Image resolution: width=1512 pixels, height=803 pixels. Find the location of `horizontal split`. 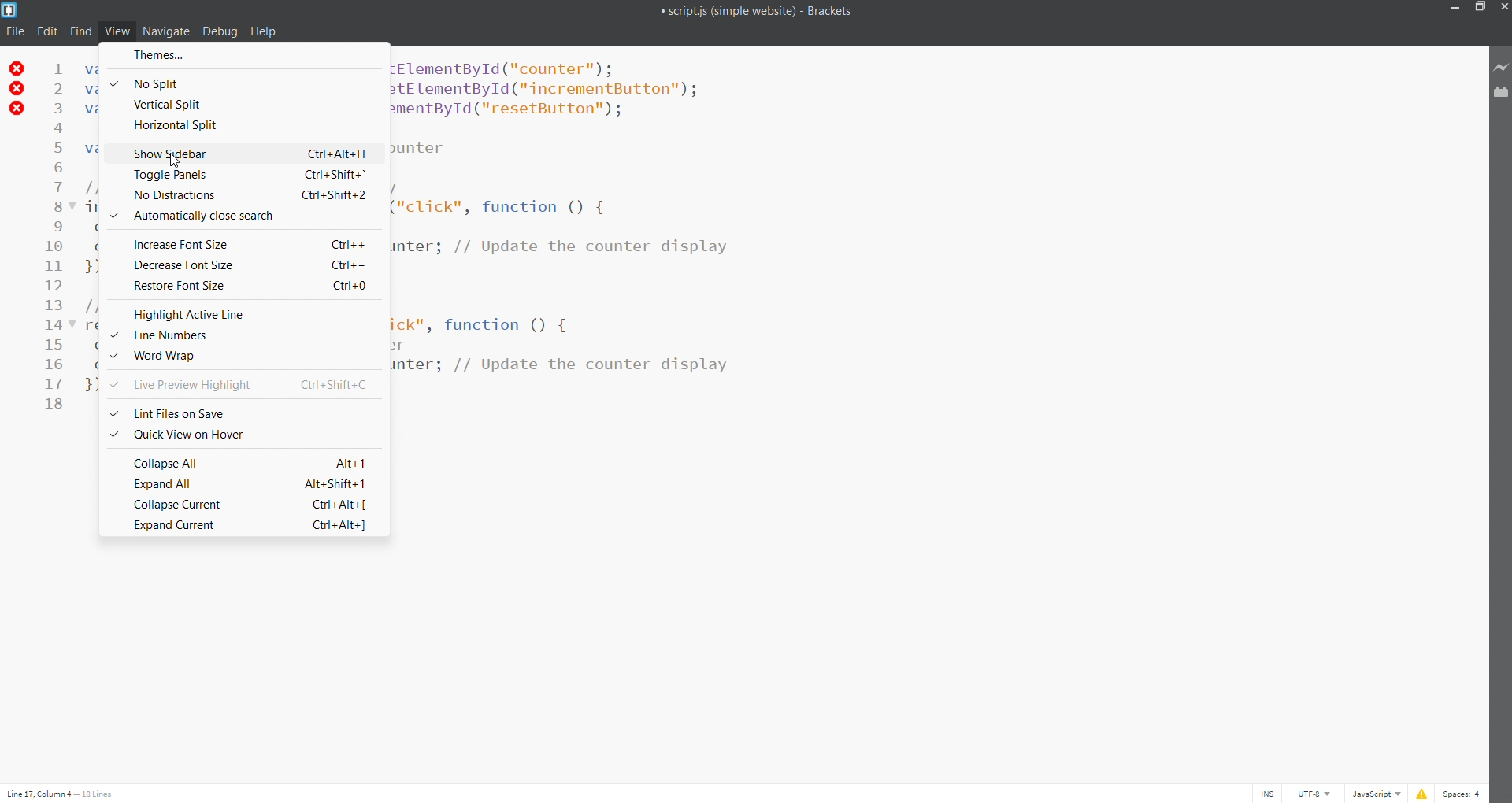

horizontal split is located at coordinates (176, 127).